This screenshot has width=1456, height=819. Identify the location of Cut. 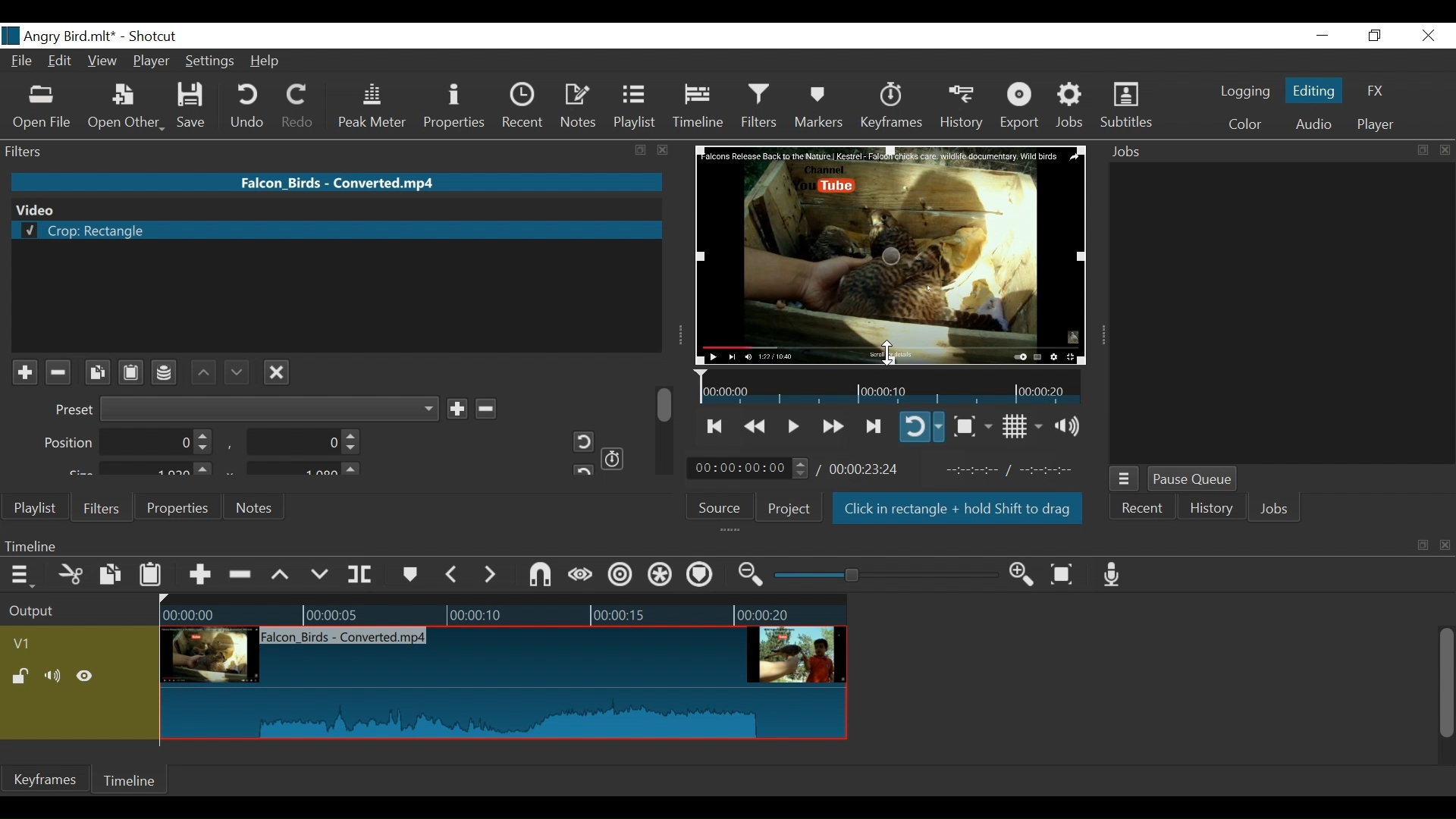
(71, 576).